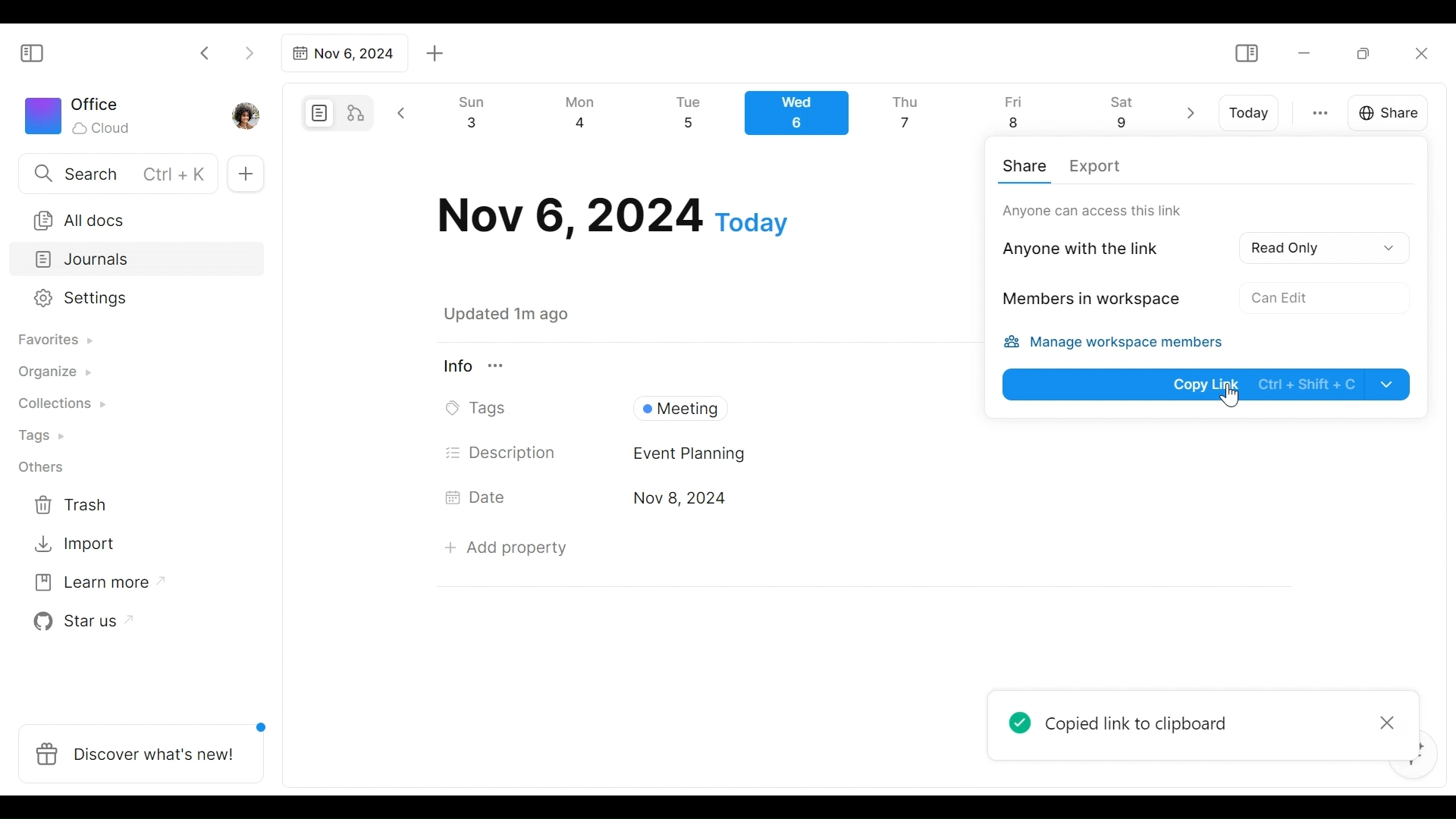  I want to click on Show/Hide Sidebar, so click(1246, 54).